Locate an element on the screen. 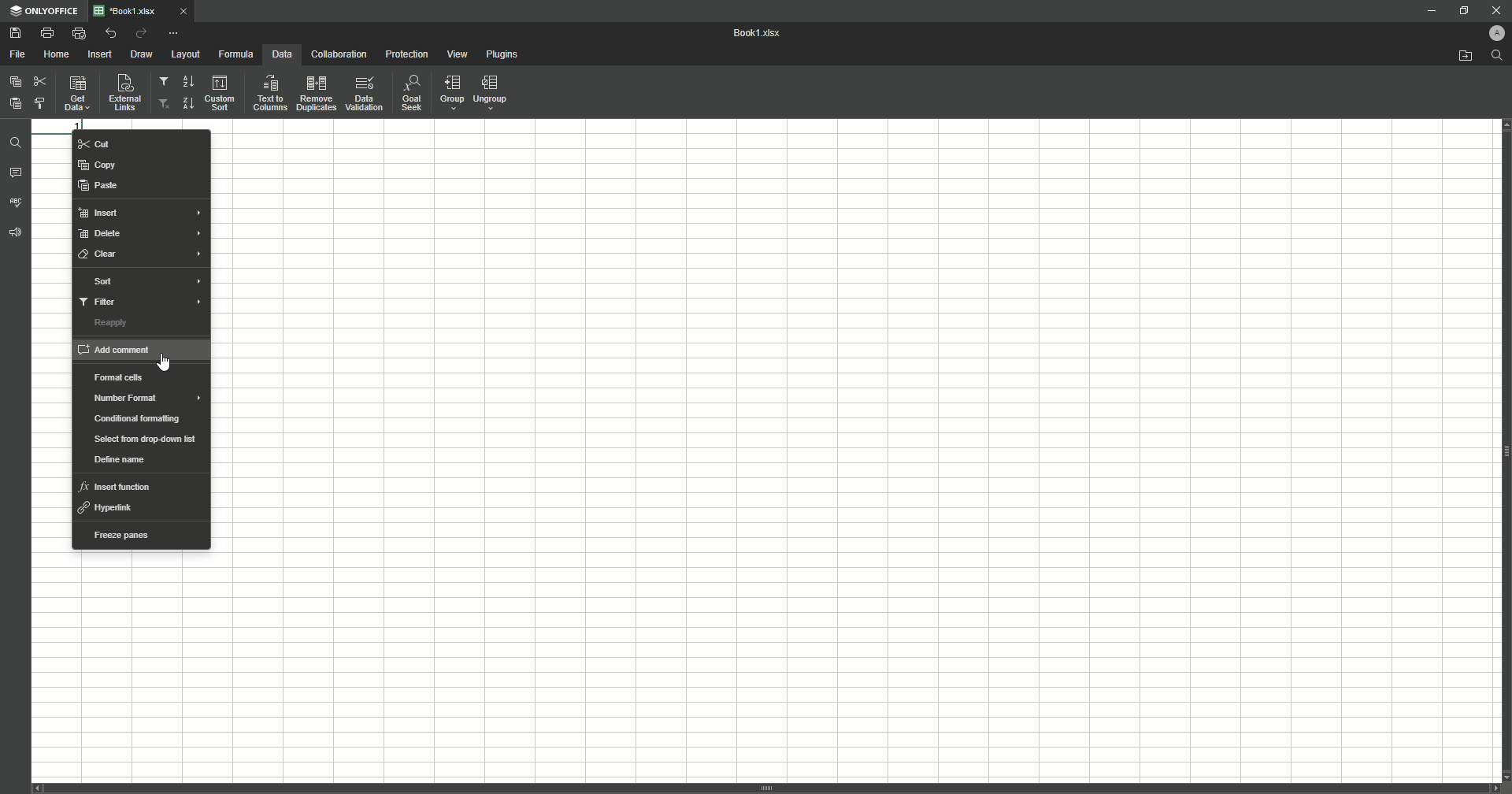 Image resolution: width=1512 pixels, height=794 pixels.  is located at coordinates (492, 93).